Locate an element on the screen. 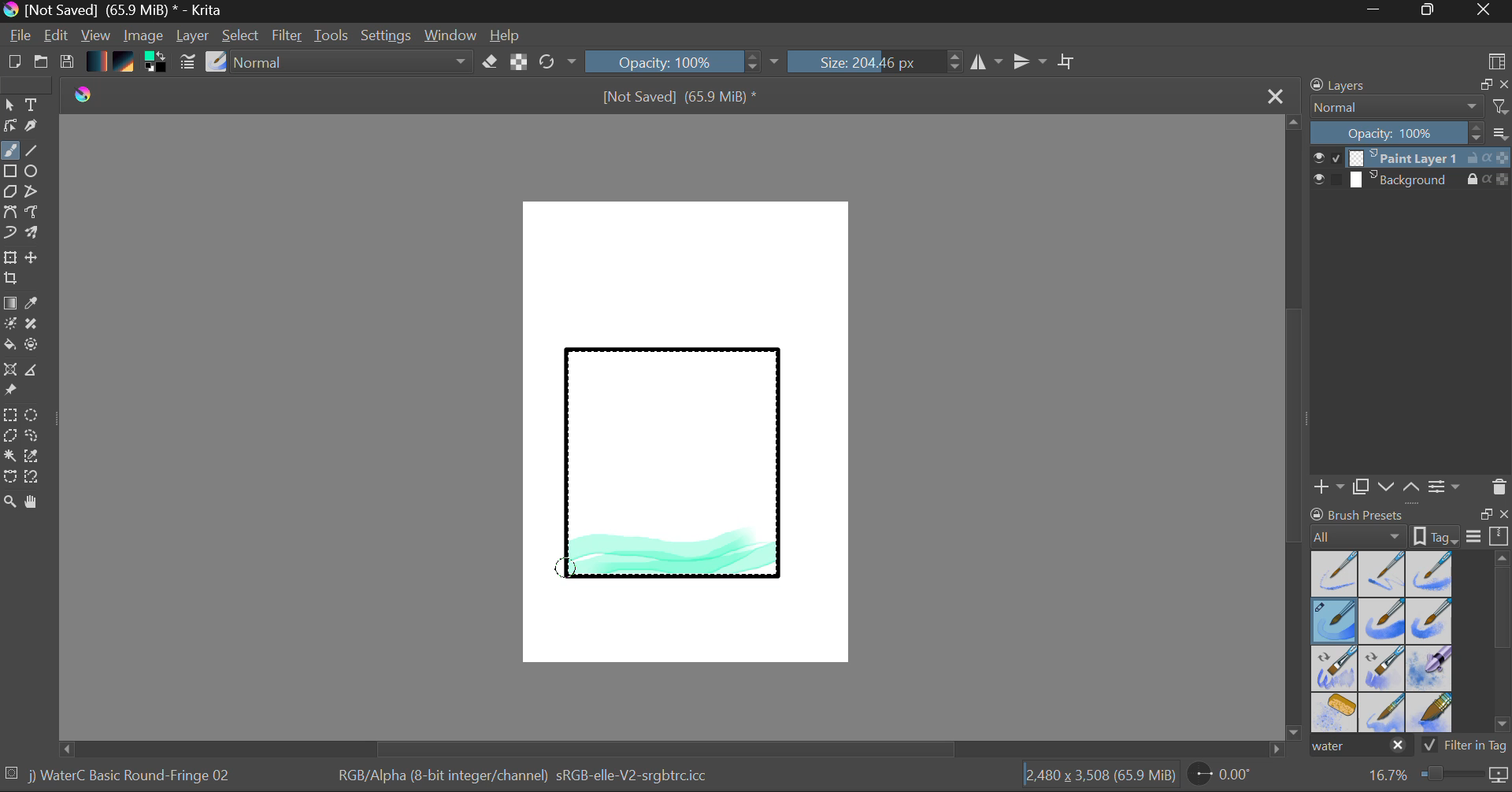  Brush Size is located at coordinates (876, 61).